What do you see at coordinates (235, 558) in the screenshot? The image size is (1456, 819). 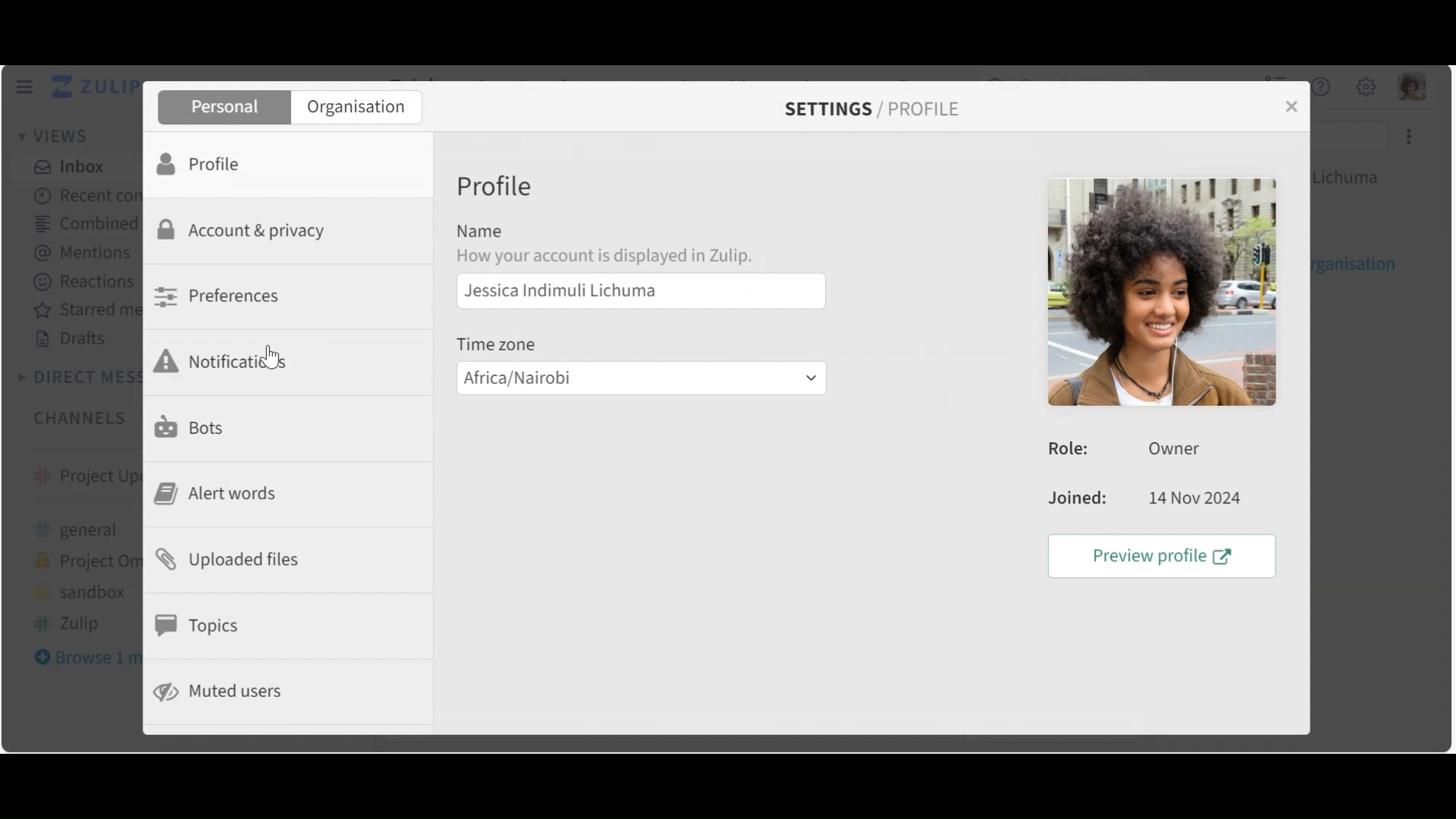 I see `Uploaded files` at bounding box center [235, 558].